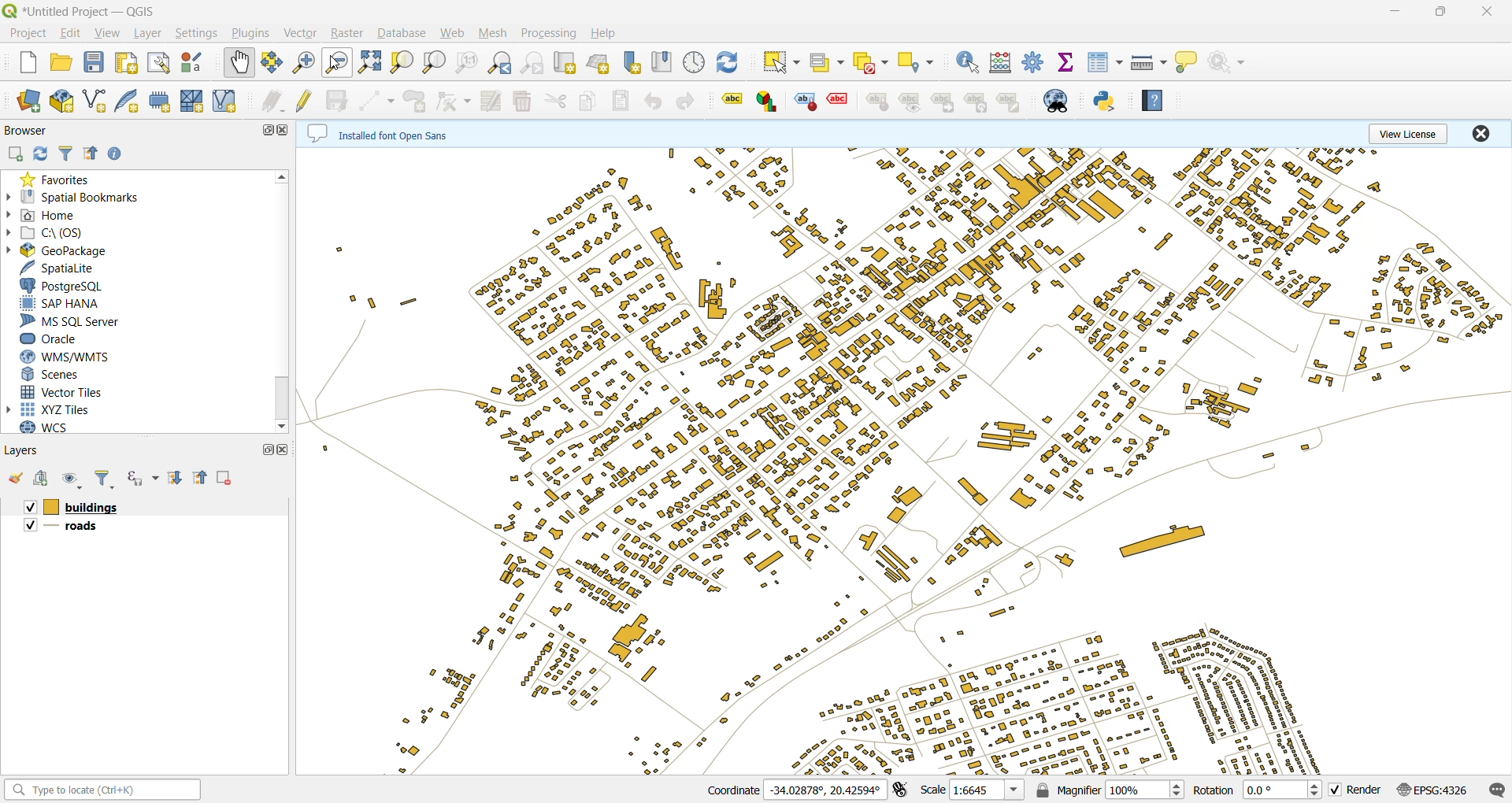  Describe the element at coordinates (1106, 790) in the screenshot. I see `magnifier` at that location.